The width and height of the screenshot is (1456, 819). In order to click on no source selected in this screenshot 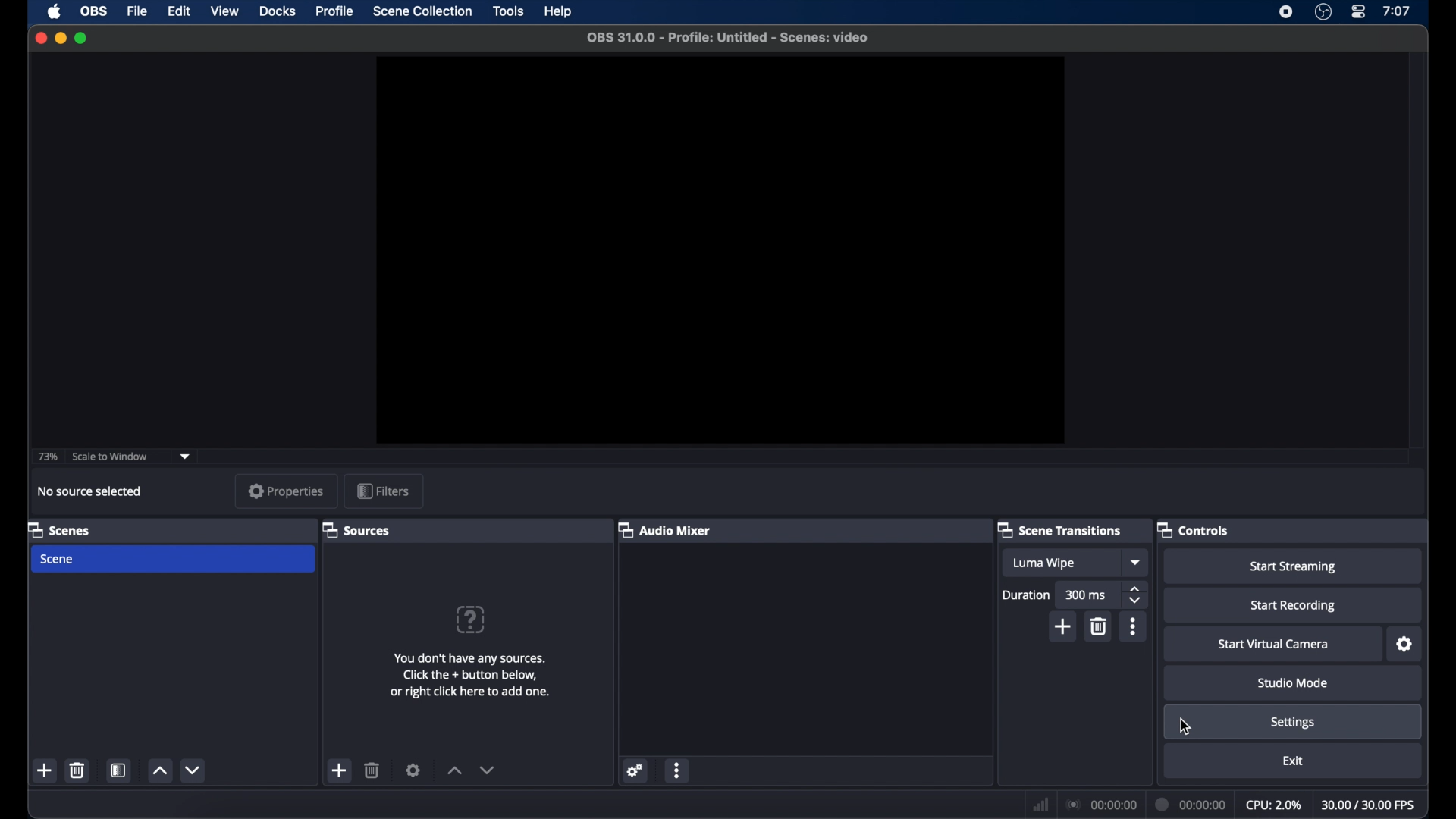, I will do `click(89, 492)`.